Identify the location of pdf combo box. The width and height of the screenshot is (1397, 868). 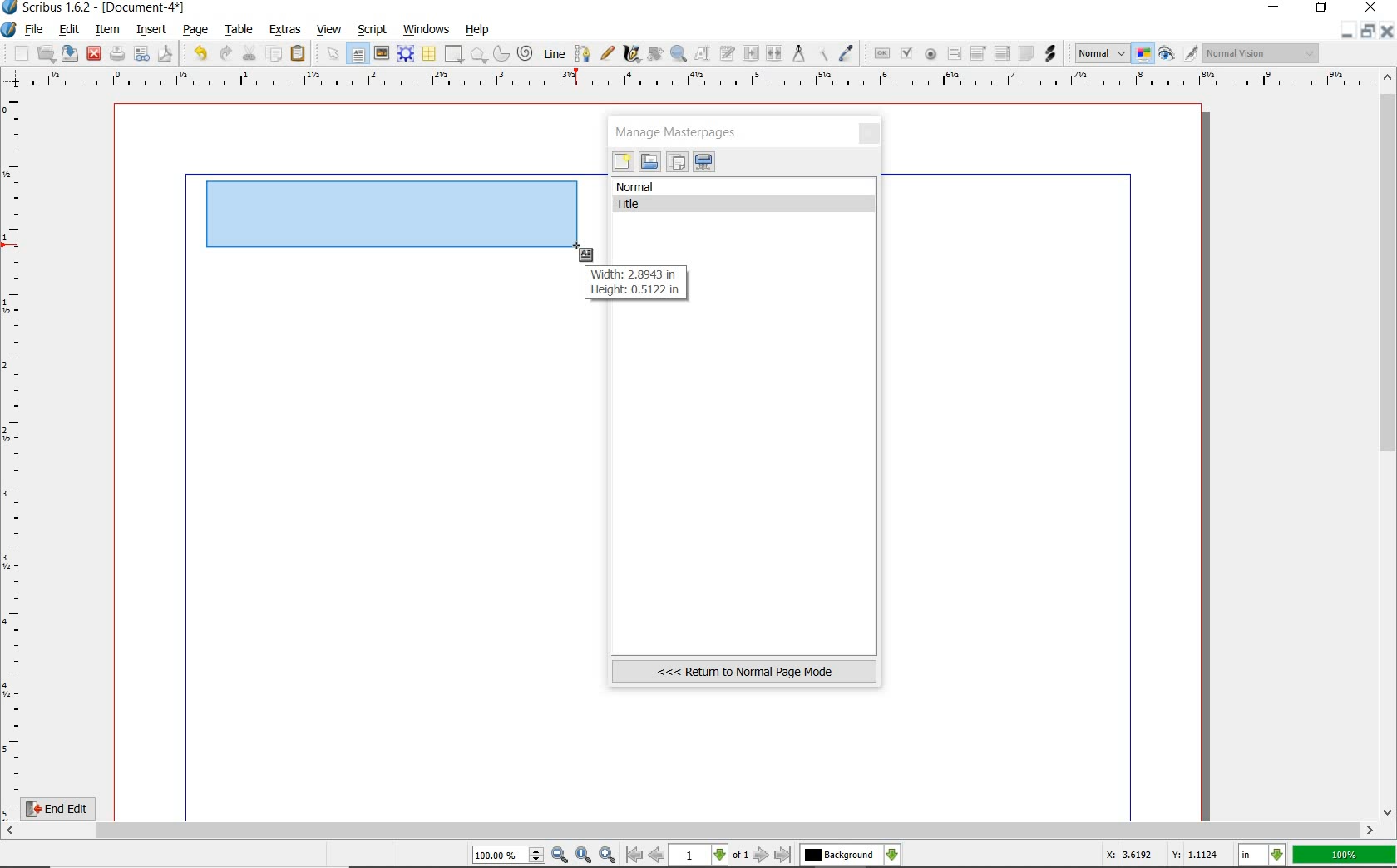
(979, 52).